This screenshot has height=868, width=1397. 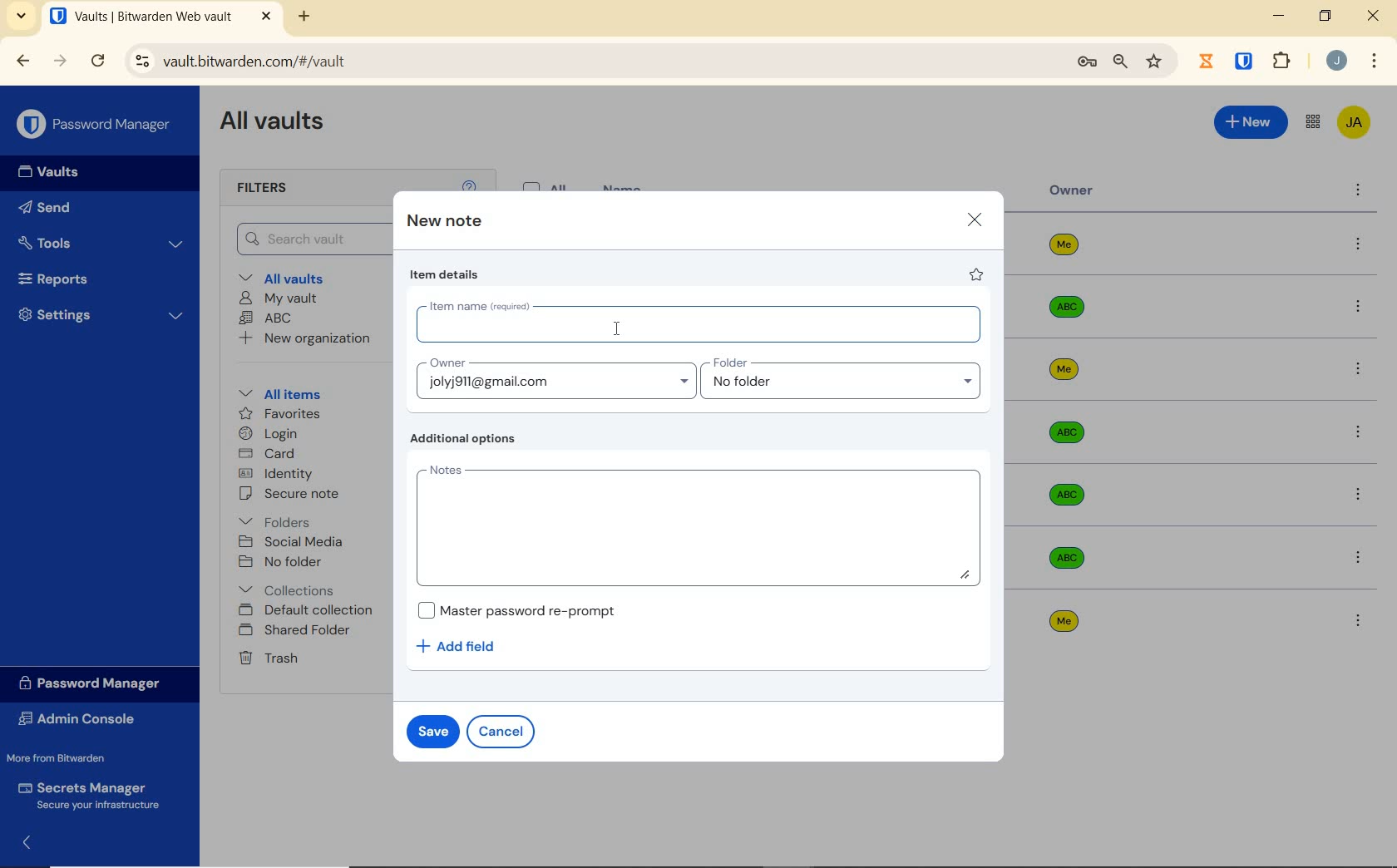 What do you see at coordinates (277, 522) in the screenshot?
I see `folders` at bounding box center [277, 522].